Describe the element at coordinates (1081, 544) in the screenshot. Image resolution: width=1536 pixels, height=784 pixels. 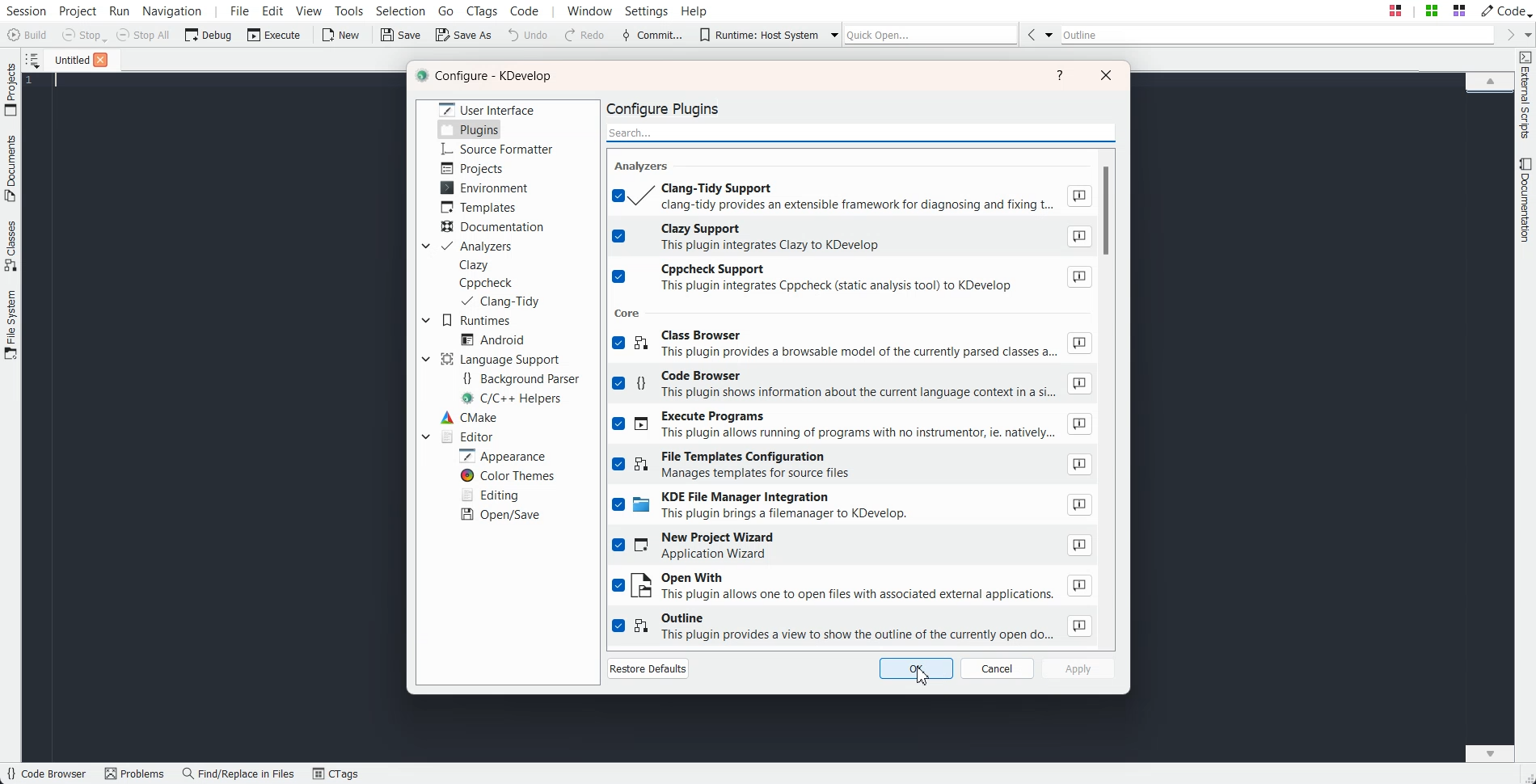
I see `About` at that location.